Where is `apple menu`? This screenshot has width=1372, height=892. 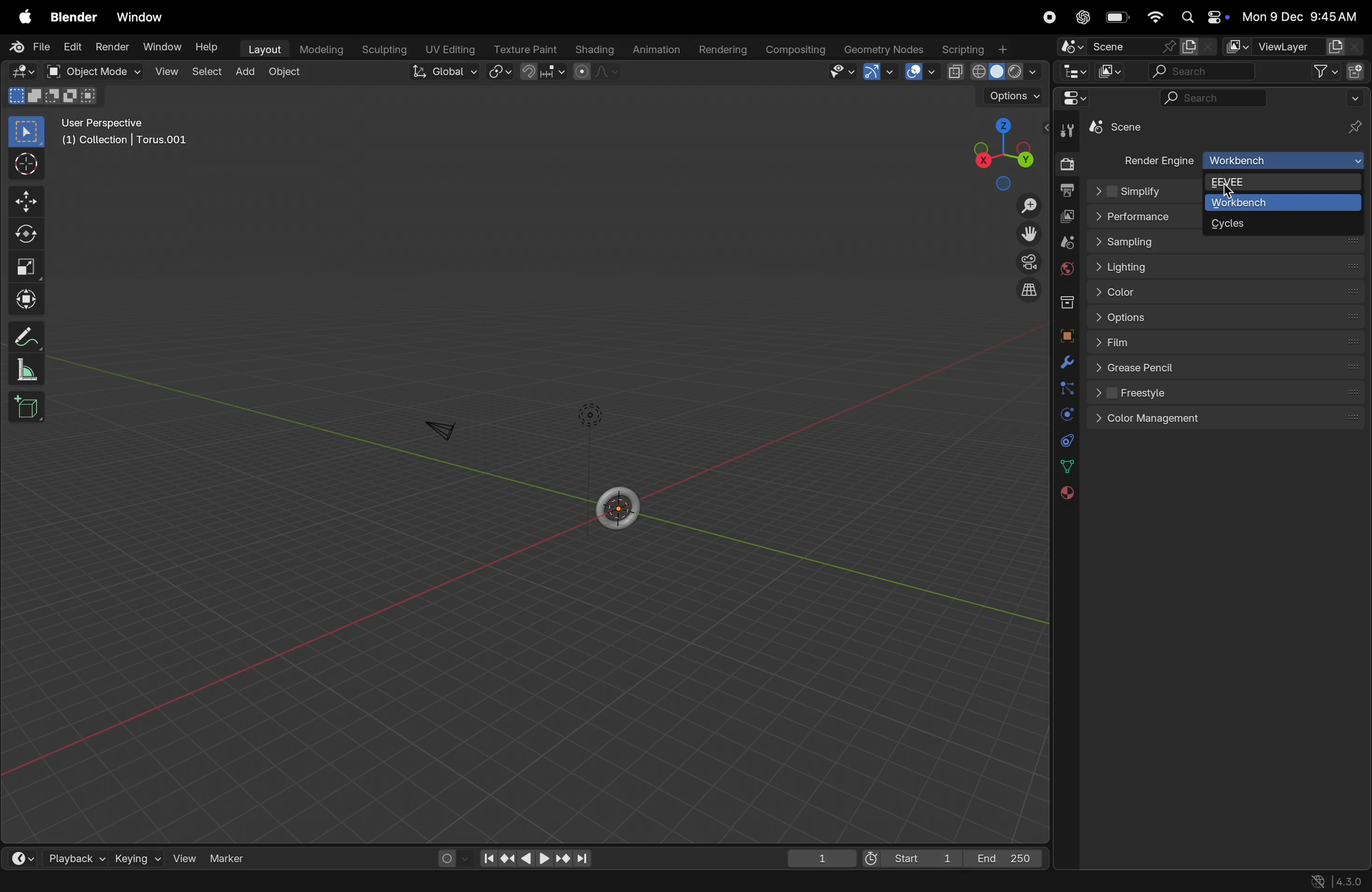 apple menu is located at coordinates (22, 16).